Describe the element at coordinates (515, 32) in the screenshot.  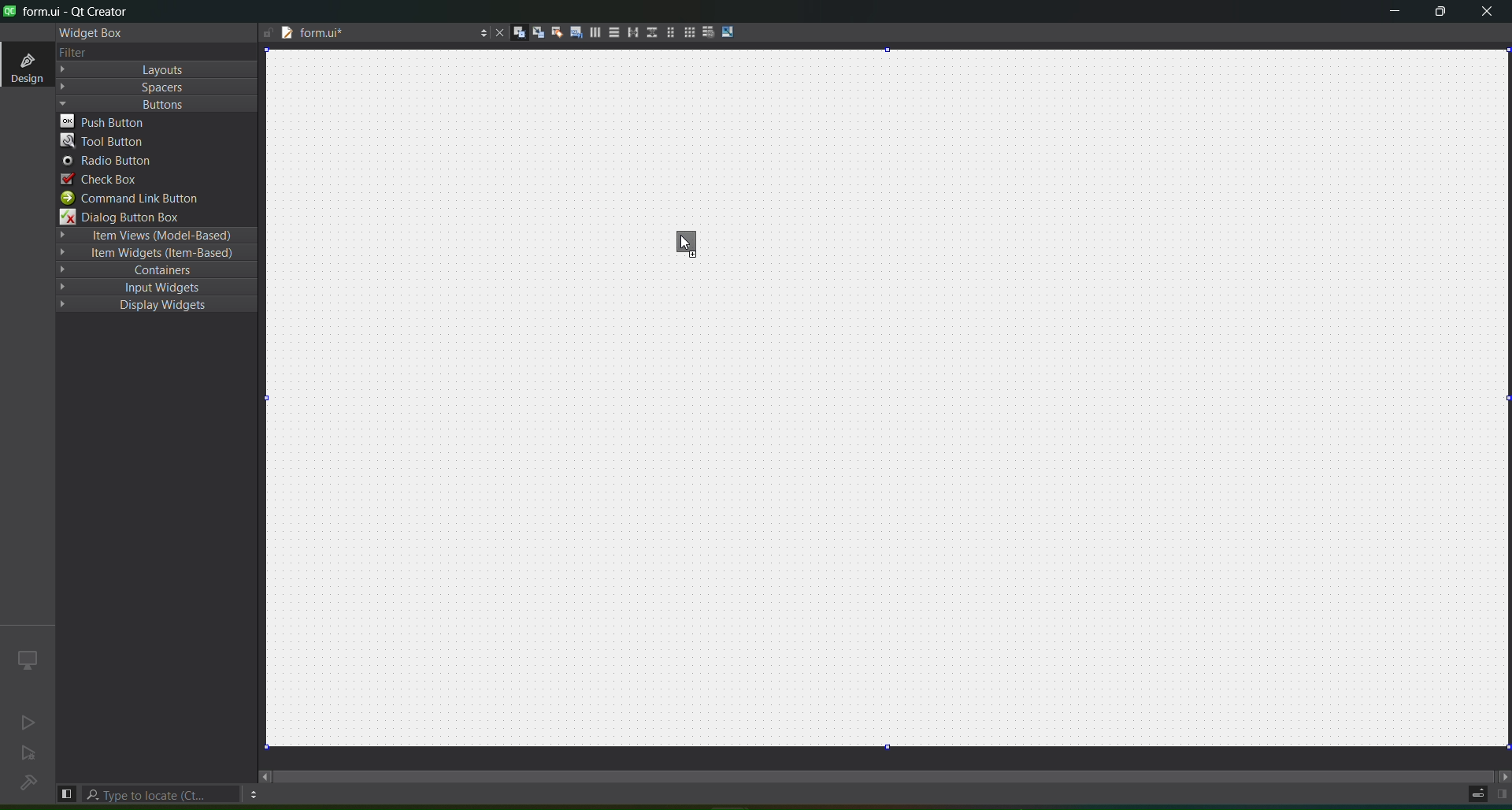
I see `edit widgets` at that location.